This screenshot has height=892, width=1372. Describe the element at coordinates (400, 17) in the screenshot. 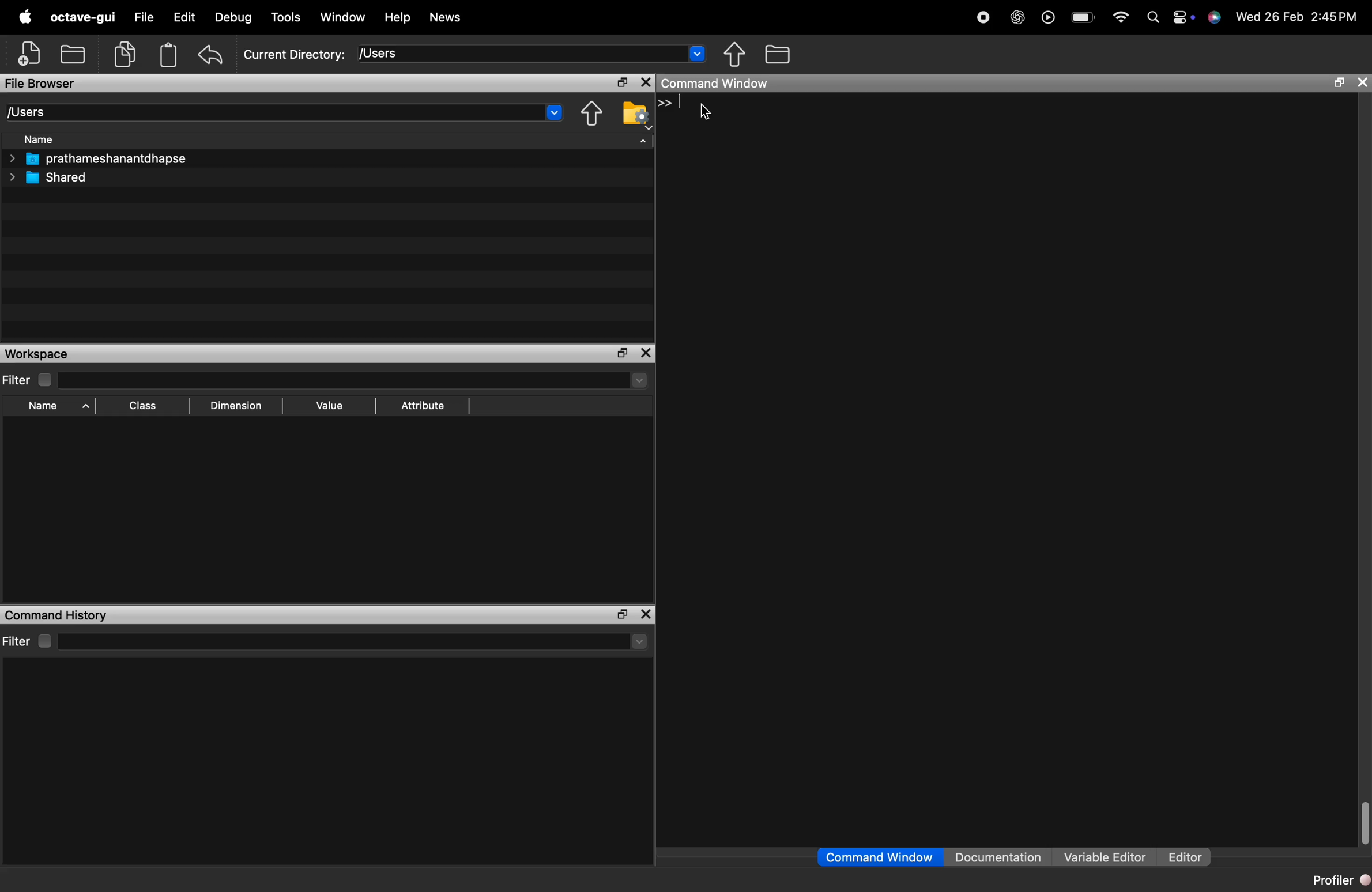

I see `Help` at that location.